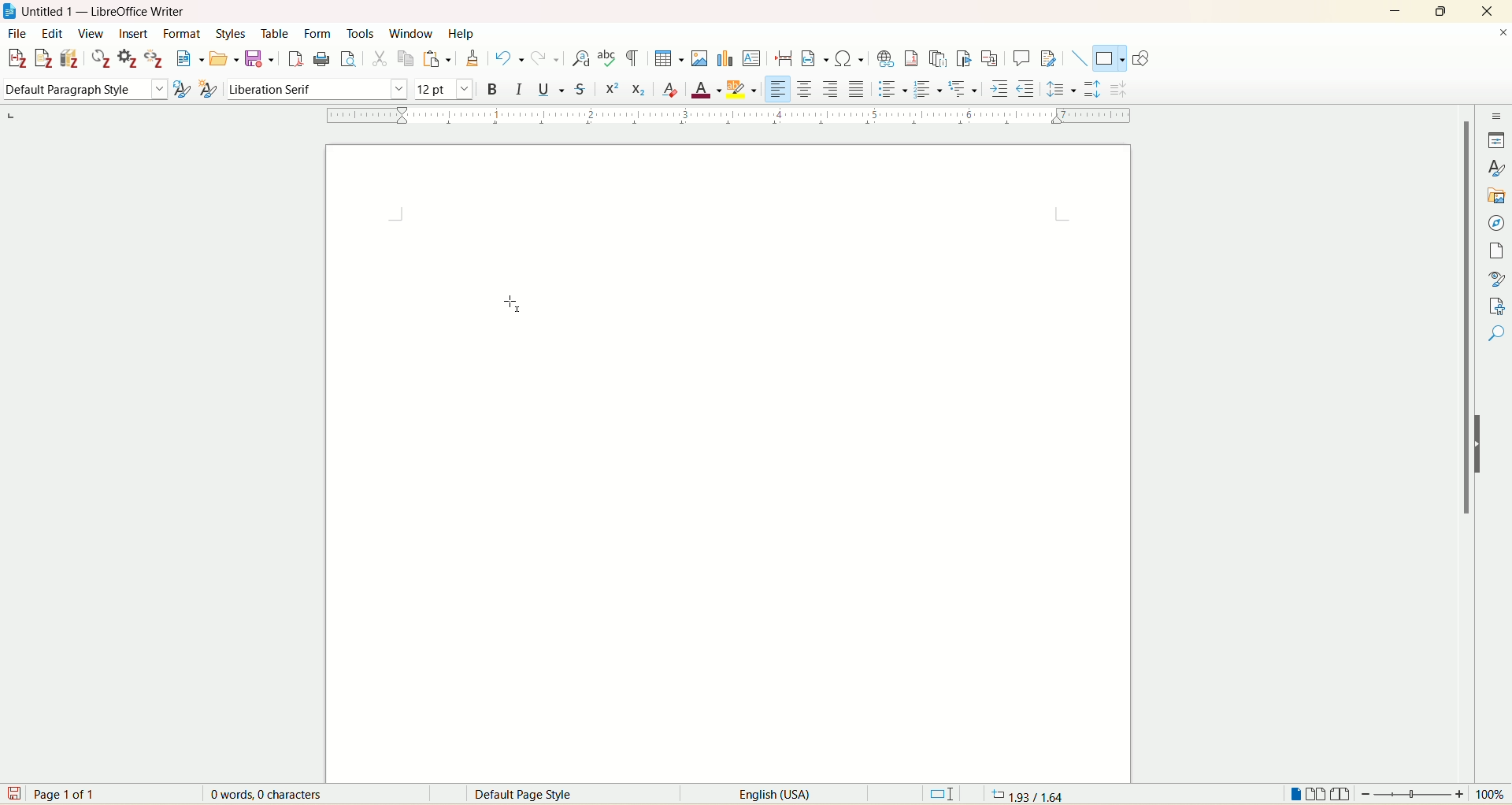 The height and width of the screenshot is (805, 1512). Describe the element at coordinates (406, 61) in the screenshot. I see `copy` at that location.